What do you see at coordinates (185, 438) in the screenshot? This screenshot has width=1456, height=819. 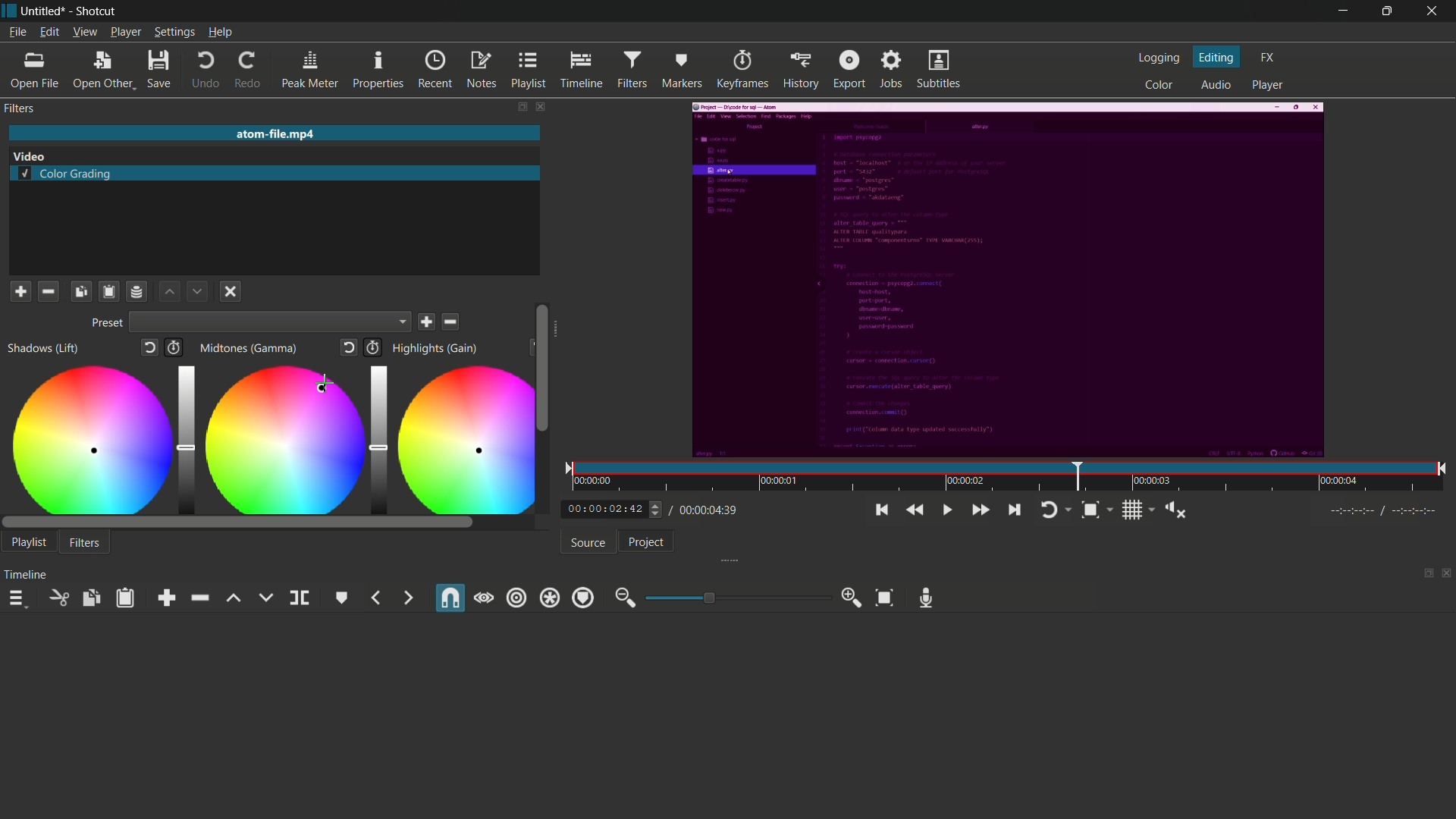 I see `adjustment bar` at bounding box center [185, 438].